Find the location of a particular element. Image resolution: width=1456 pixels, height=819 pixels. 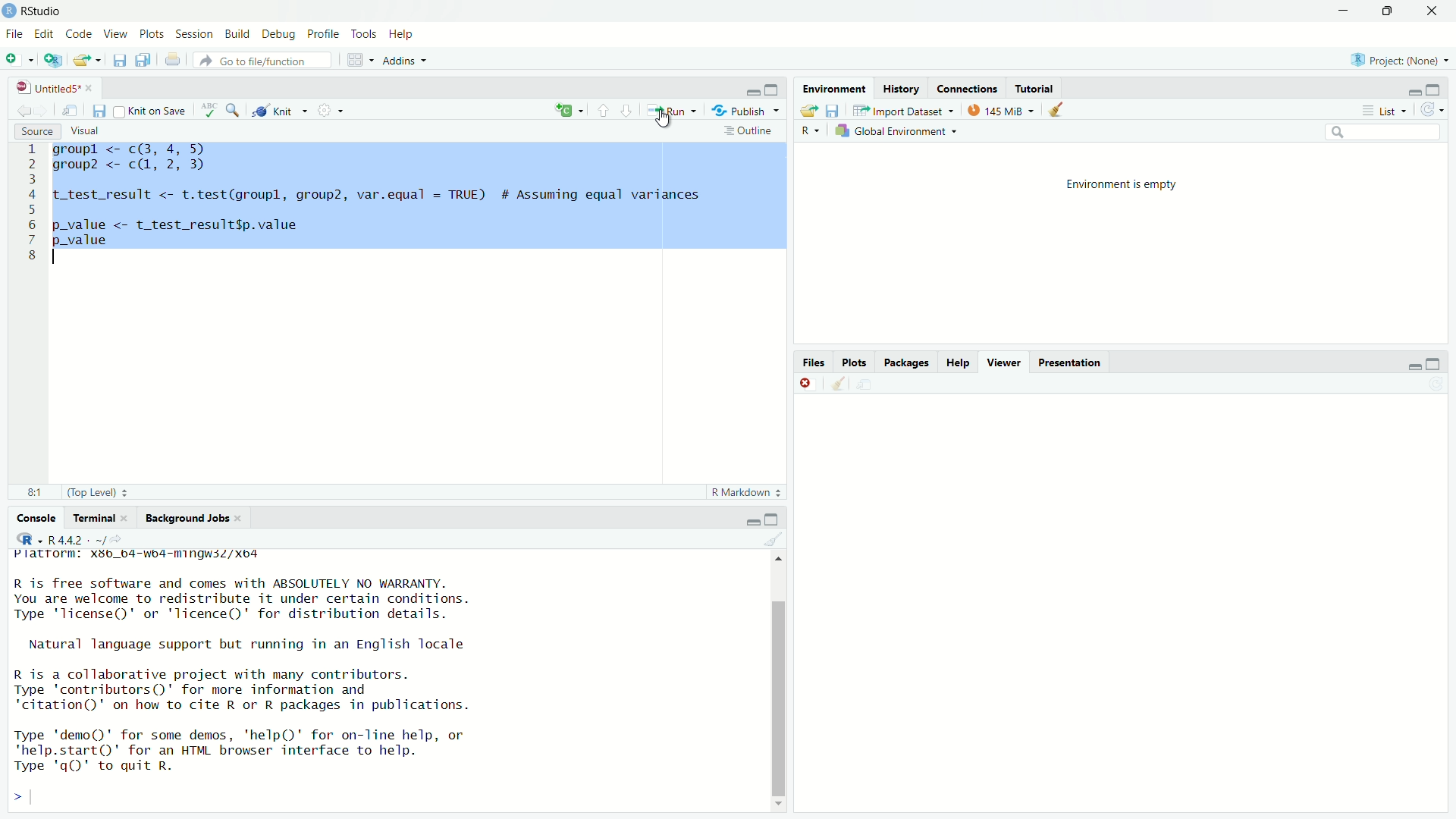

@ Knit ~ is located at coordinates (278, 111).